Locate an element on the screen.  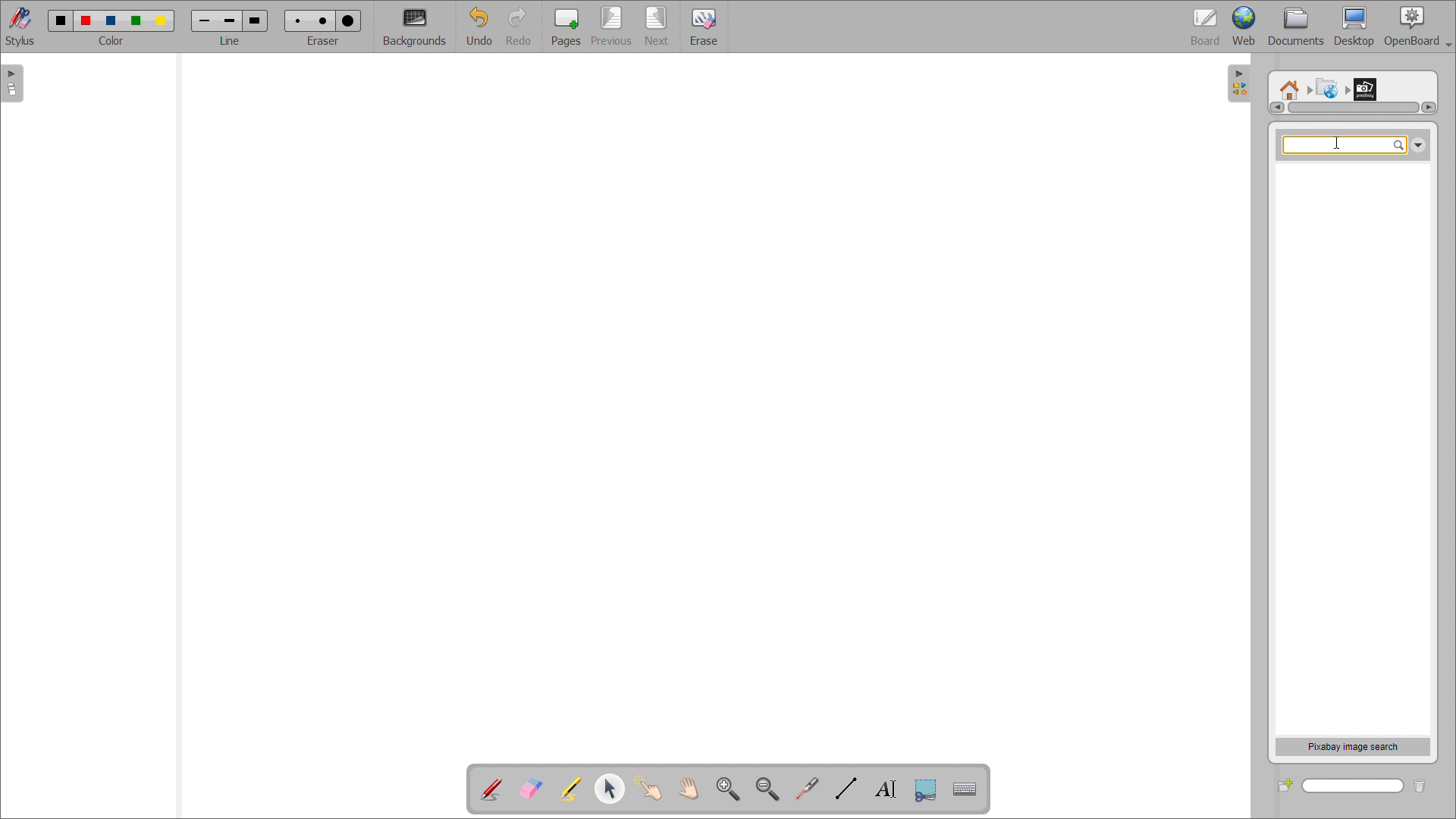
eraser is located at coordinates (325, 39).